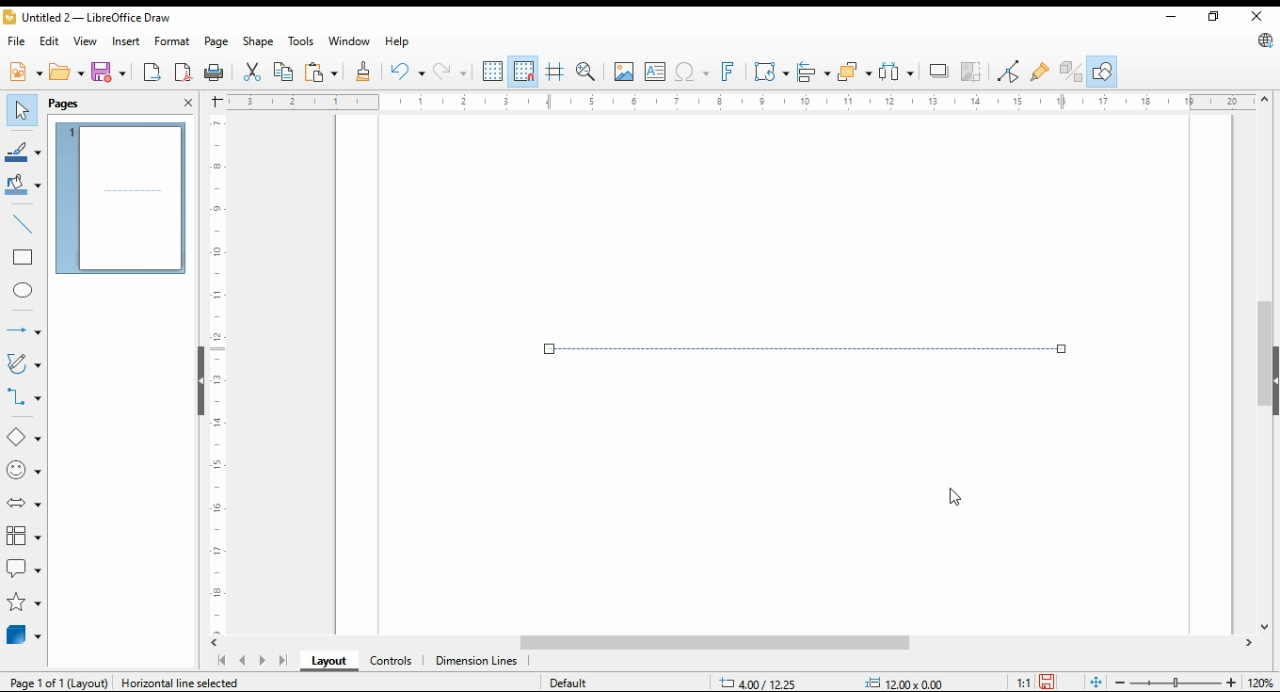 The image size is (1280, 692). Describe the element at coordinates (492, 71) in the screenshot. I see `show grids` at that location.